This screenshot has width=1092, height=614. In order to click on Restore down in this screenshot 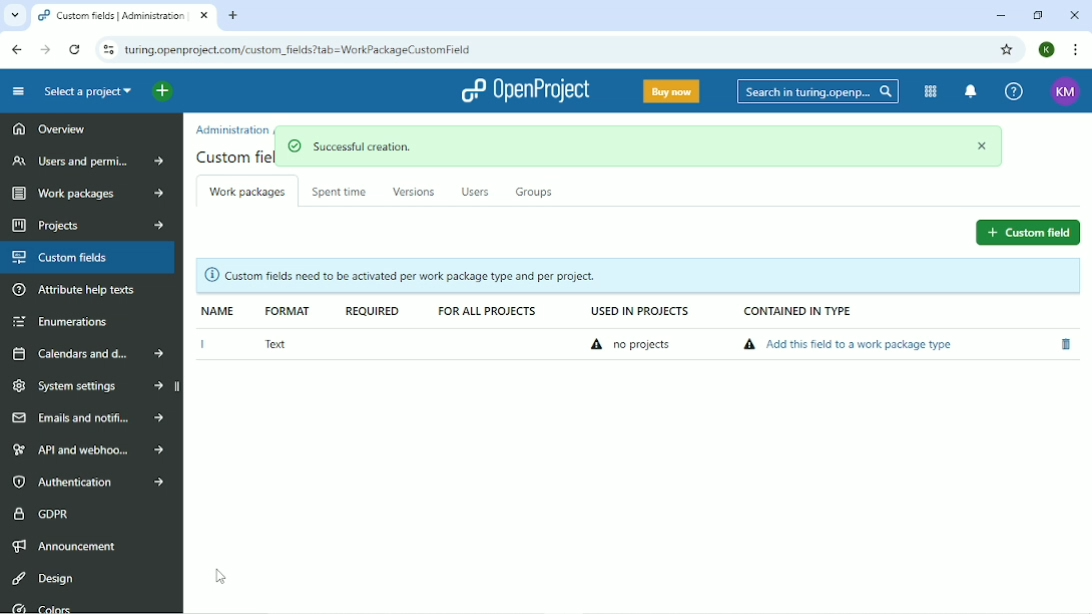, I will do `click(1038, 15)`.